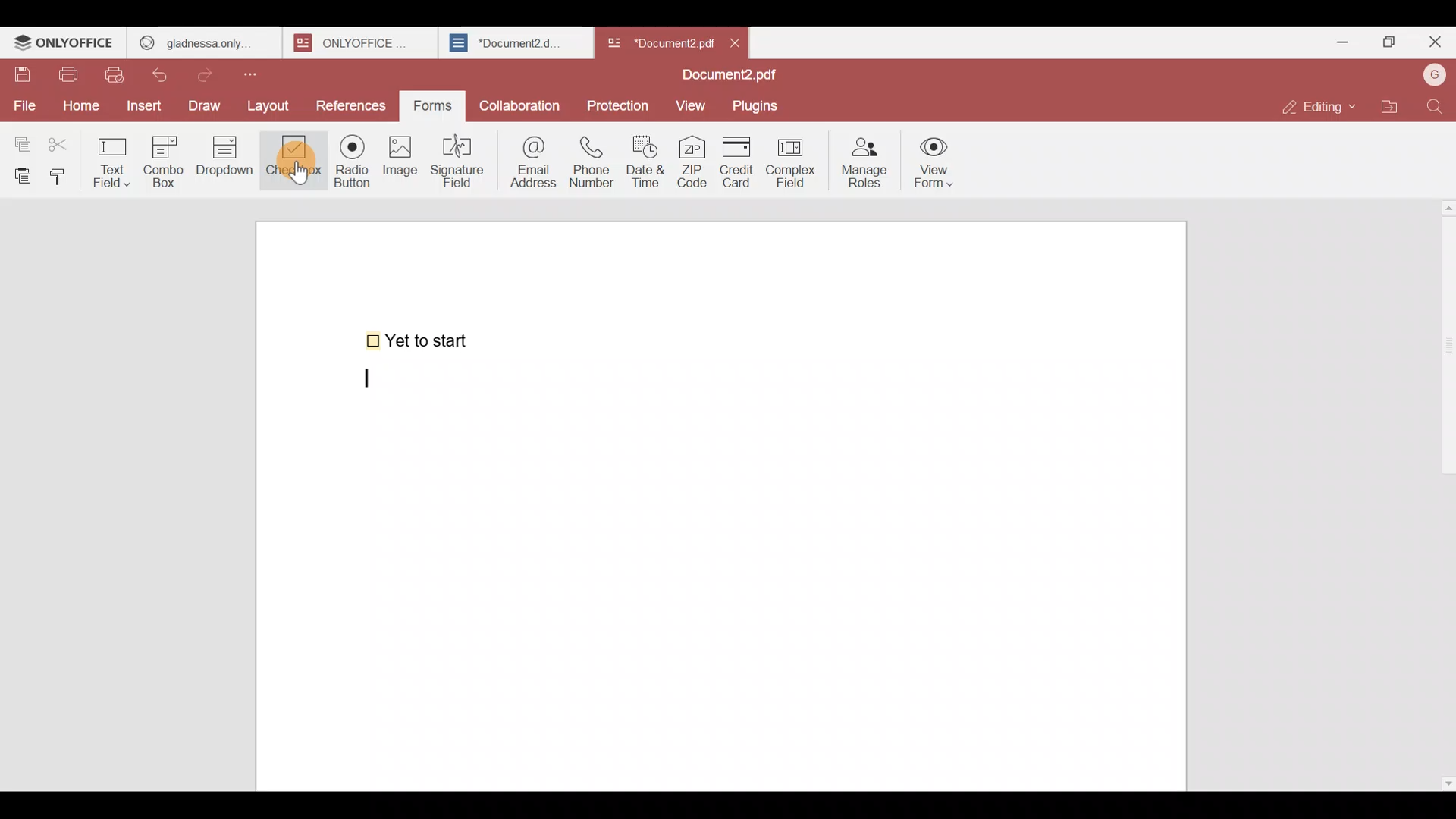 The height and width of the screenshot is (819, 1456). Describe the element at coordinates (64, 45) in the screenshot. I see `ONLYOFFICE` at that location.